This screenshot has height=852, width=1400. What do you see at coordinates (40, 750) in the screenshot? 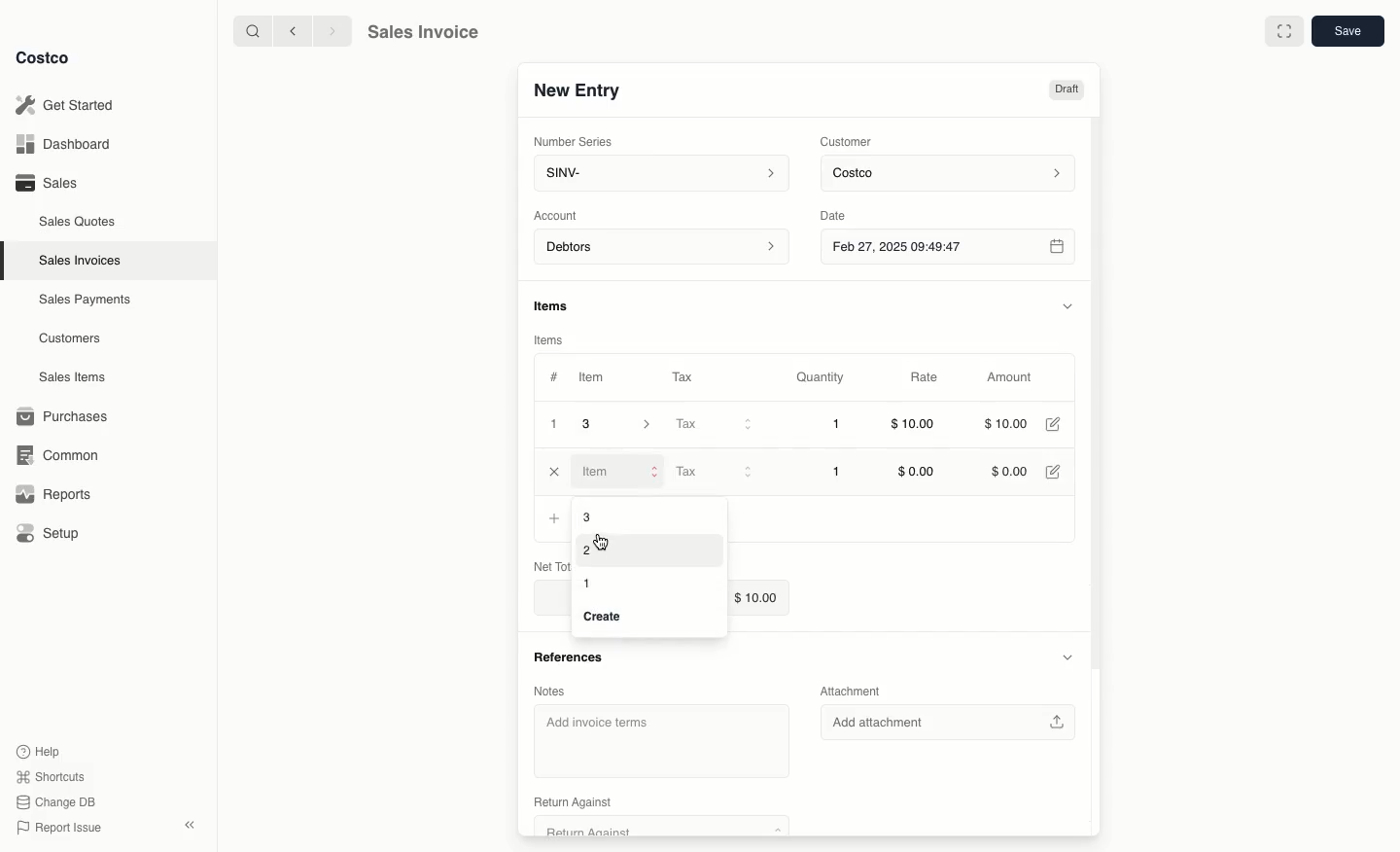
I see `Help` at bounding box center [40, 750].